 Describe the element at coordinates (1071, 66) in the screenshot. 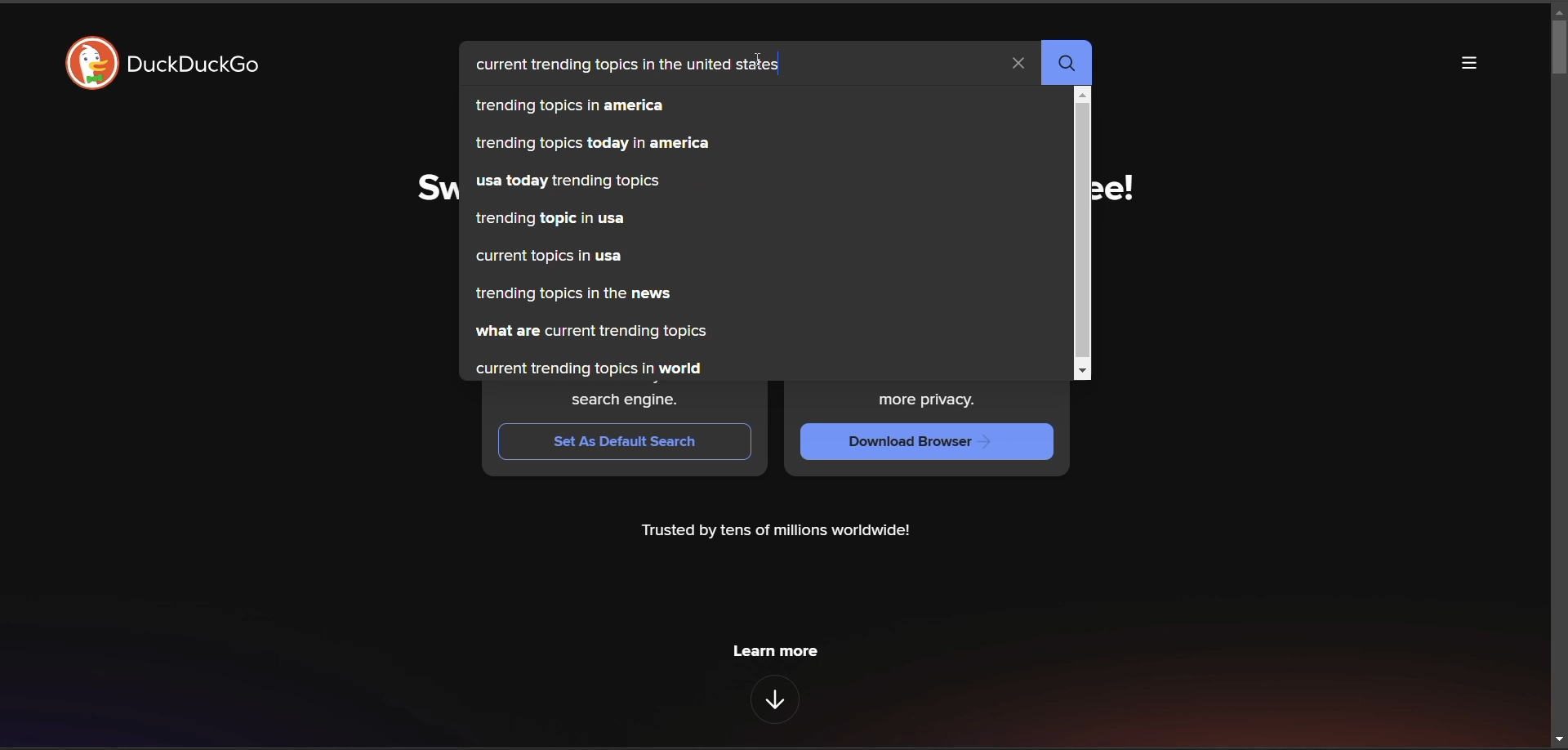

I see `search button` at that location.